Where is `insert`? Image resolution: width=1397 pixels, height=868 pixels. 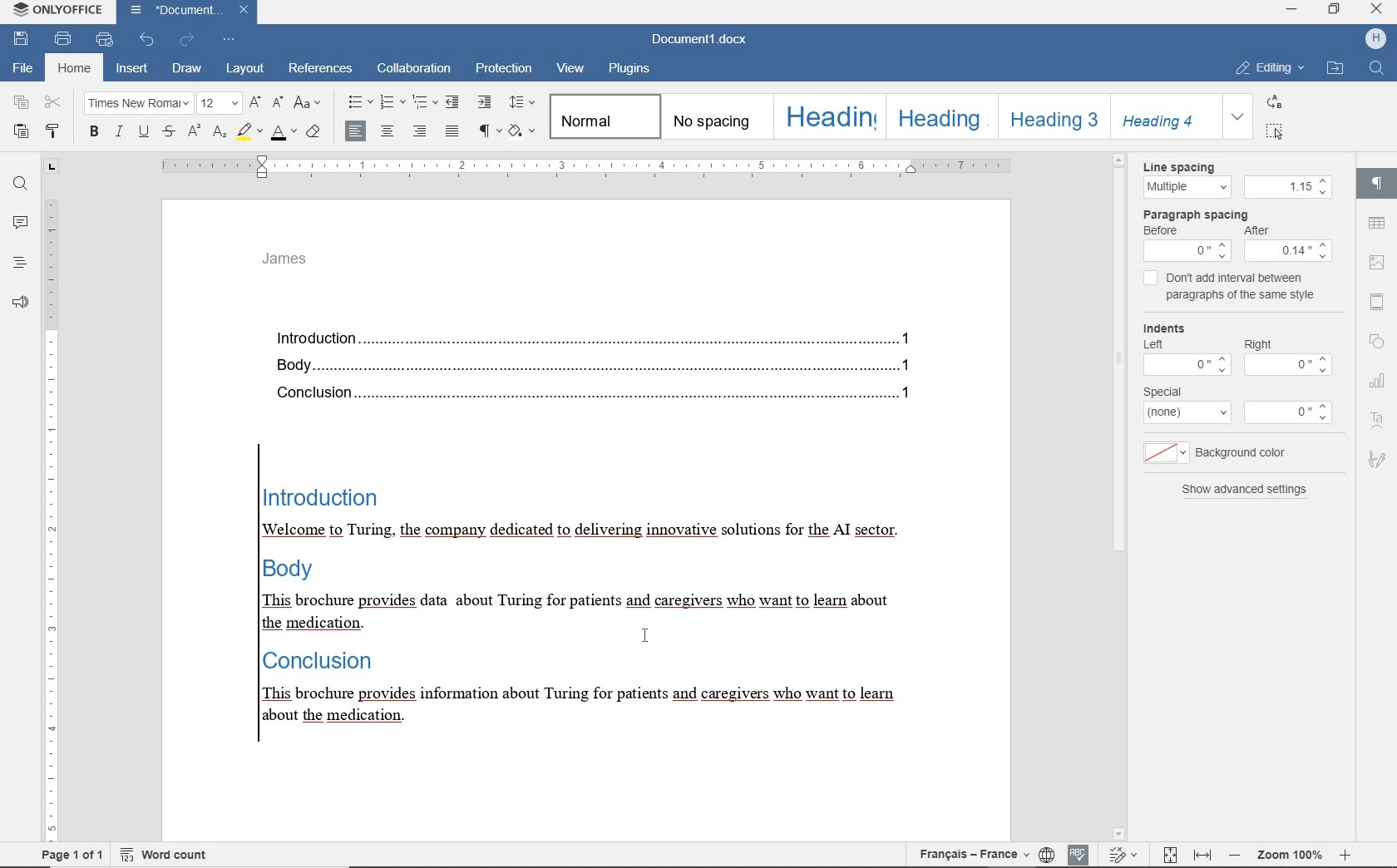
insert is located at coordinates (132, 68).